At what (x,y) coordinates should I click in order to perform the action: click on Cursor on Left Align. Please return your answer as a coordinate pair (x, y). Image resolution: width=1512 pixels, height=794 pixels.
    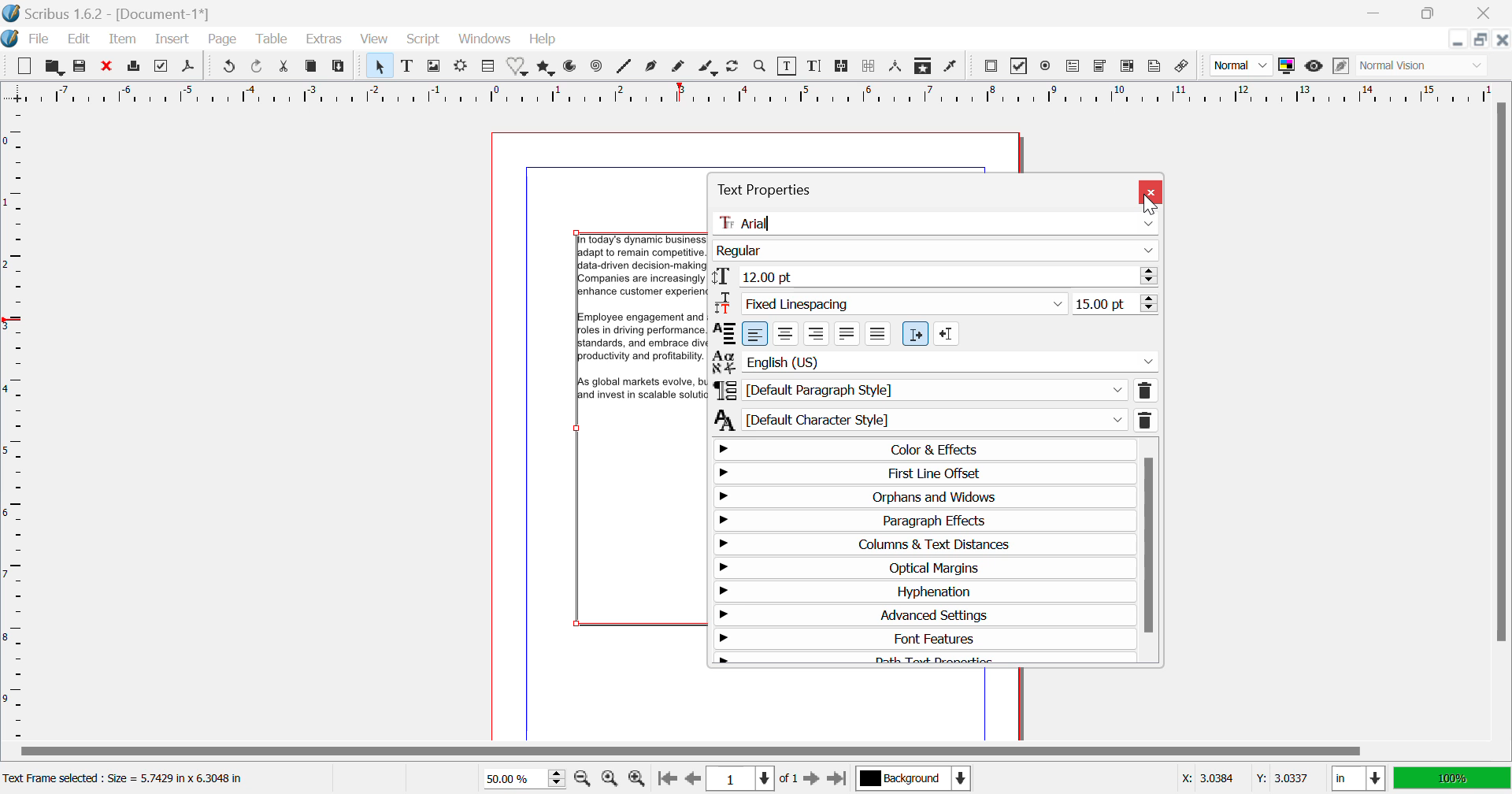
    Looking at the image, I should click on (758, 336).